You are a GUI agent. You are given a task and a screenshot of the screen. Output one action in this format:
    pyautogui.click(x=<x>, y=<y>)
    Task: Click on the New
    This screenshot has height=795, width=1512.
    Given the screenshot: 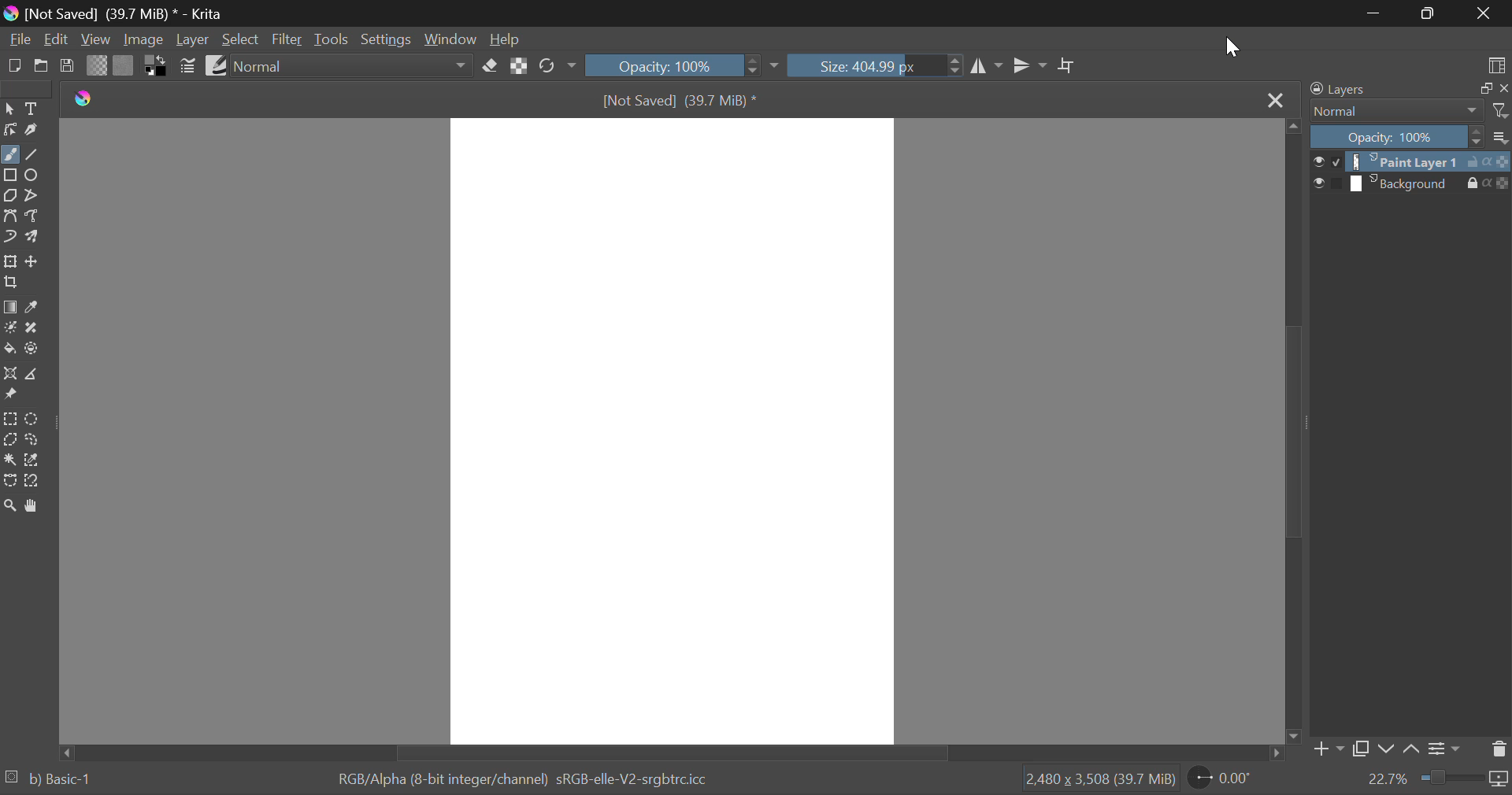 What is the action you would take?
    pyautogui.click(x=14, y=65)
    